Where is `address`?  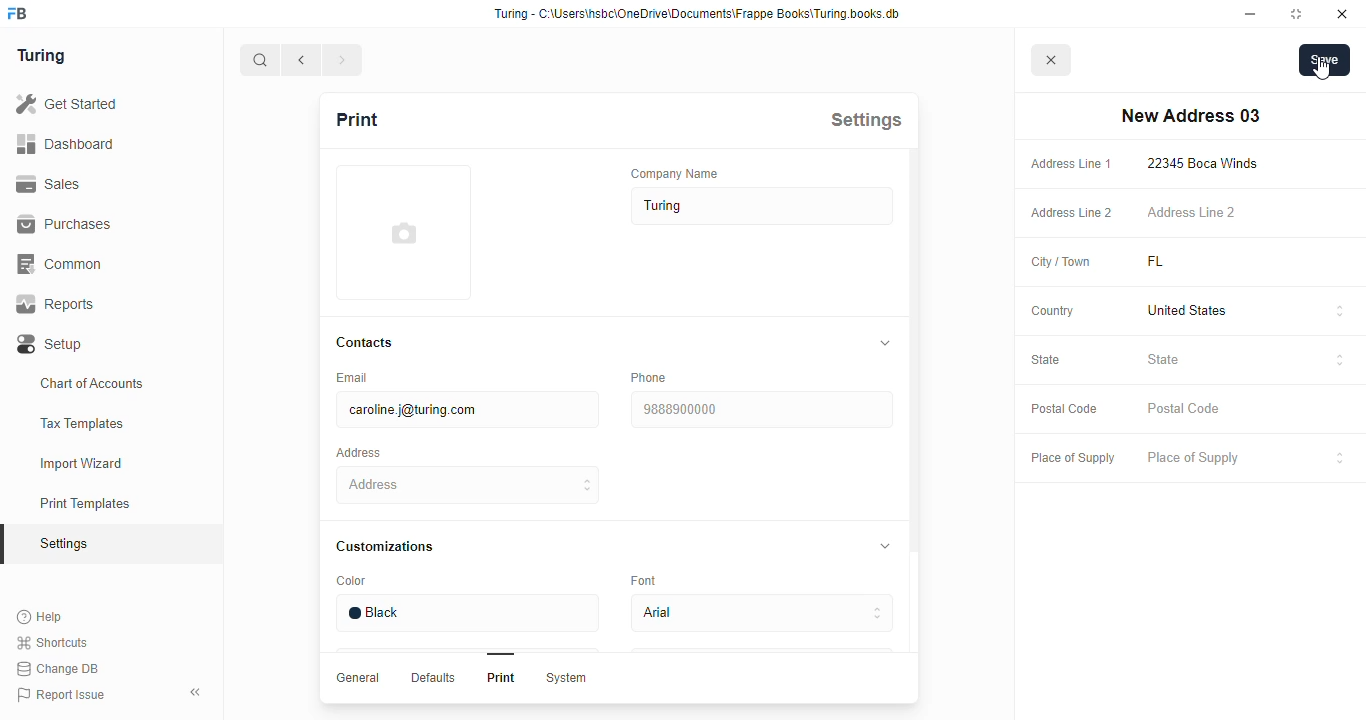
address is located at coordinates (358, 453).